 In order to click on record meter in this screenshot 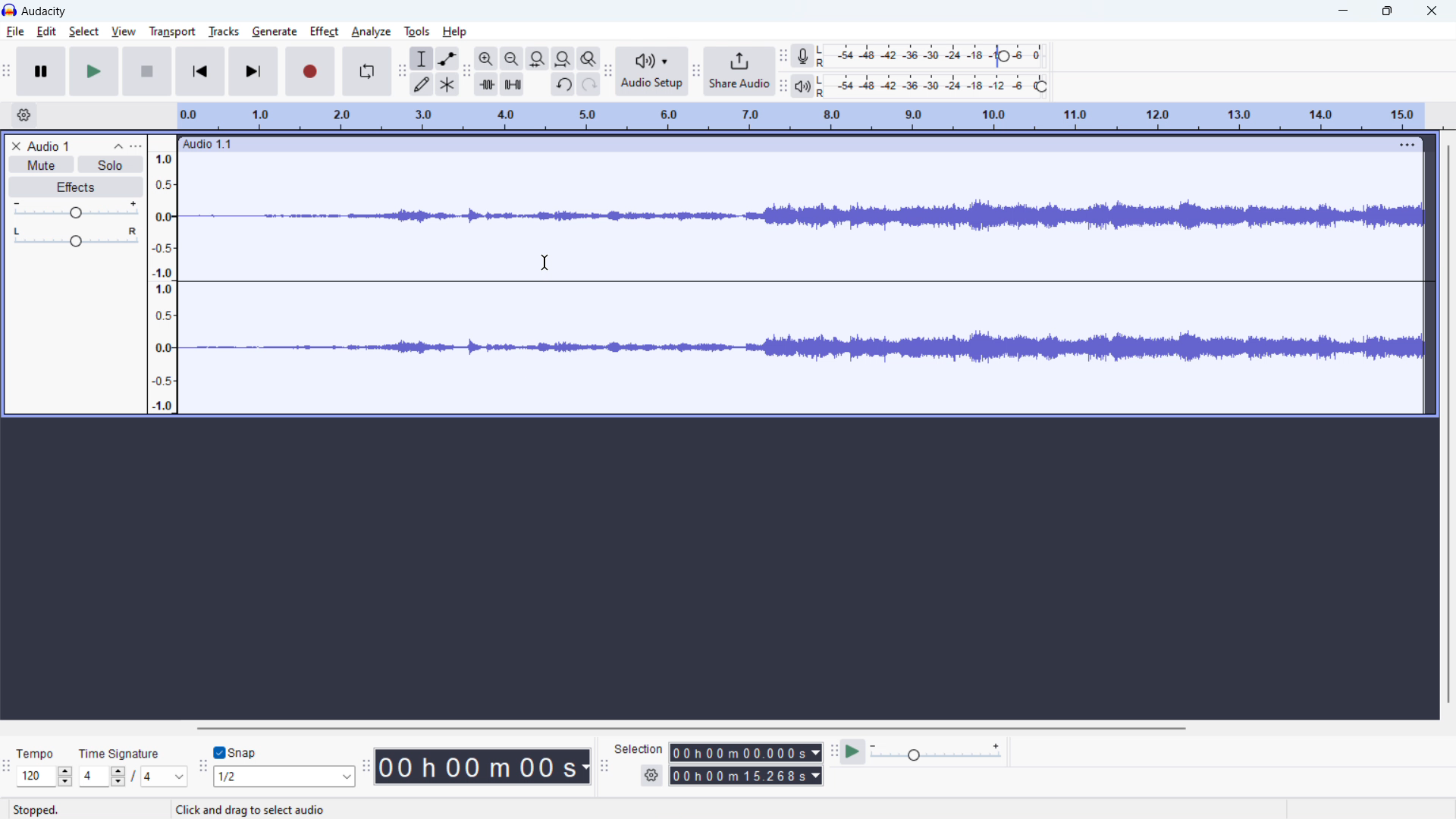, I will do `click(935, 55)`.